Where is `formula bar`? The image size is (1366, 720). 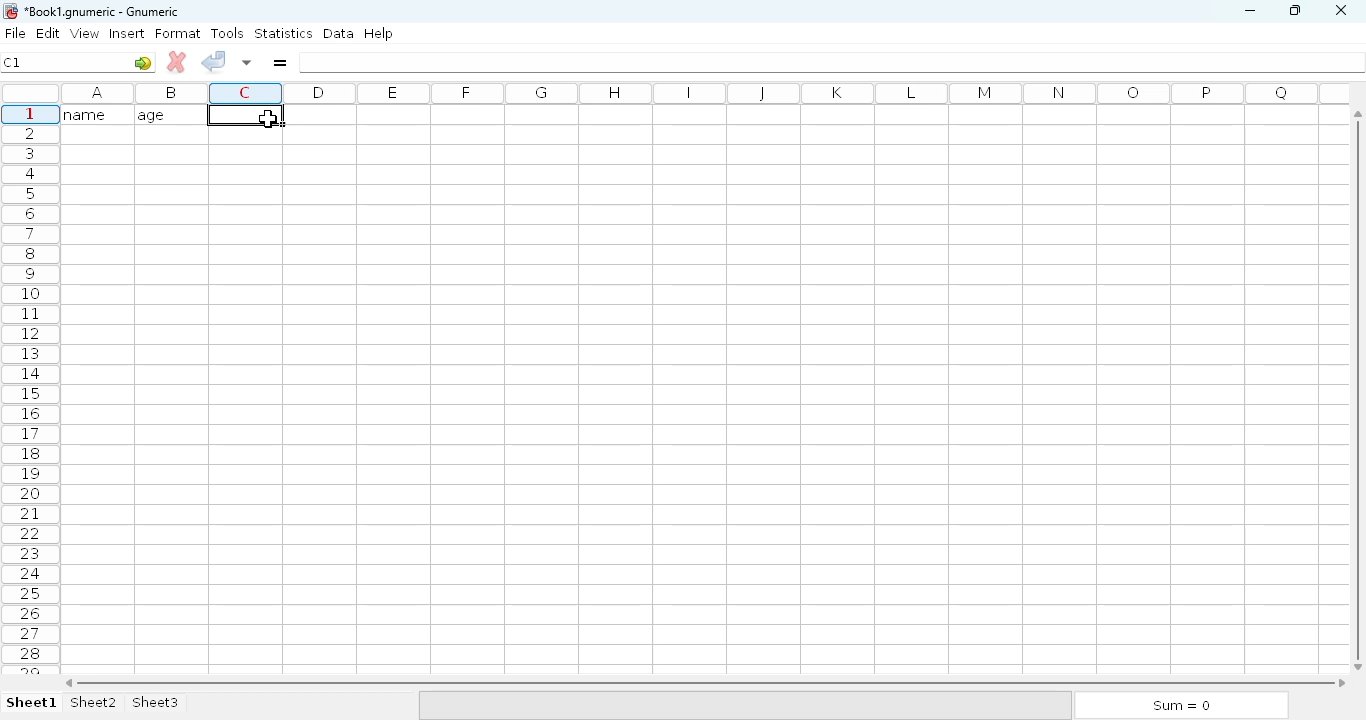
formula bar is located at coordinates (833, 62).